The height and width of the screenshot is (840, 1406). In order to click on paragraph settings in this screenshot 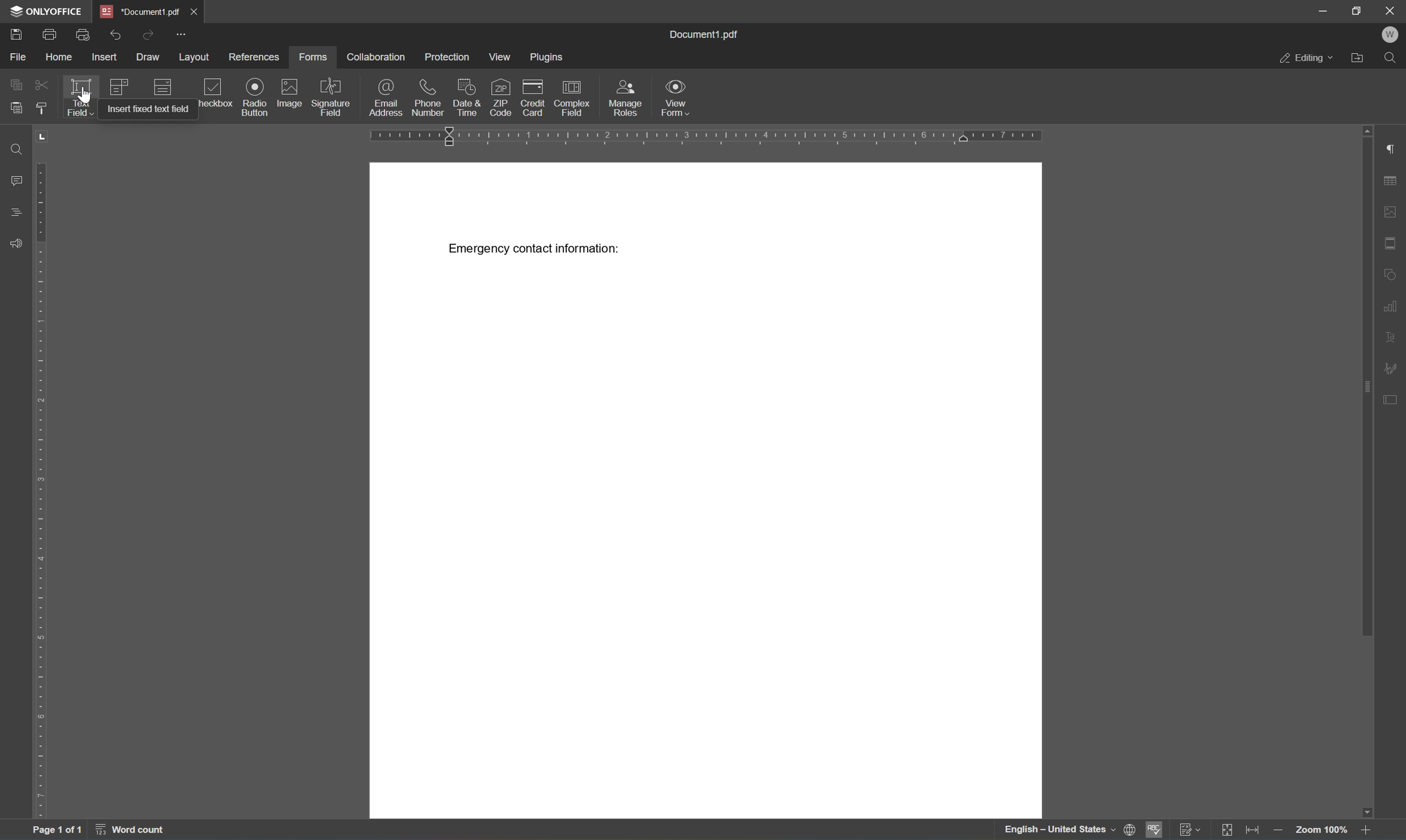, I will do `click(1393, 144)`.